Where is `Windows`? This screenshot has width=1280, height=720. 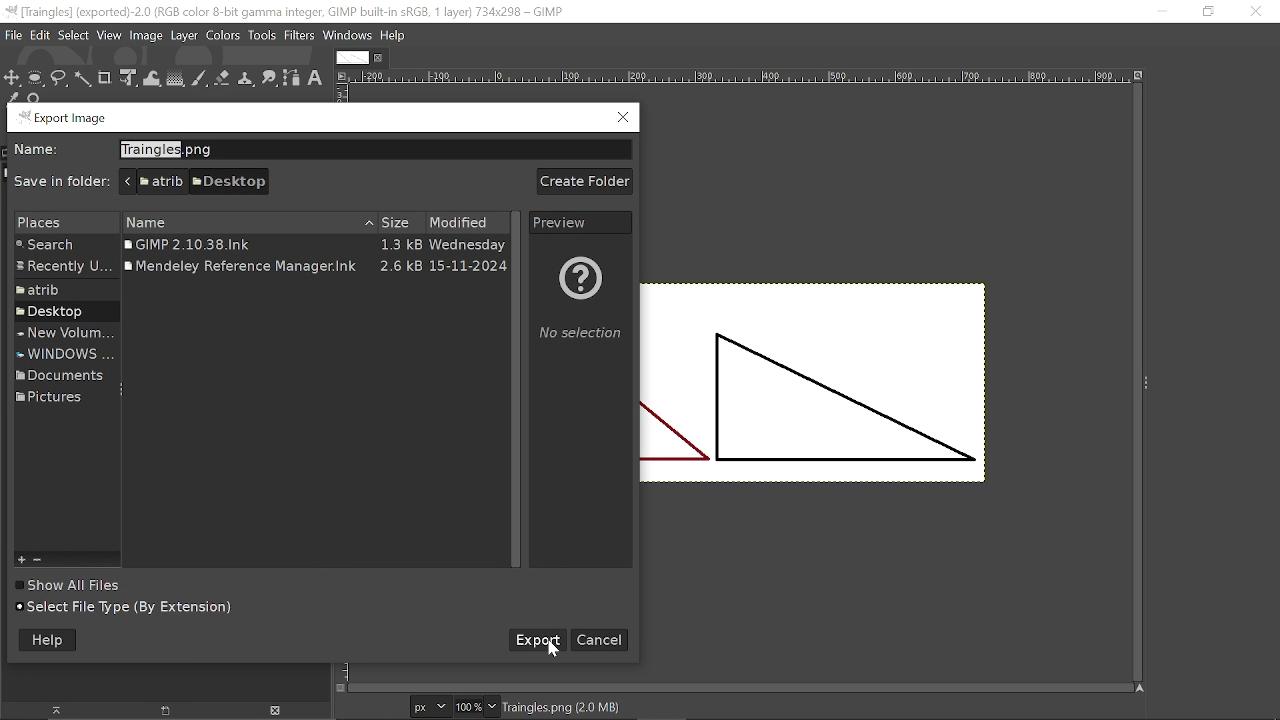 Windows is located at coordinates (348, 37).